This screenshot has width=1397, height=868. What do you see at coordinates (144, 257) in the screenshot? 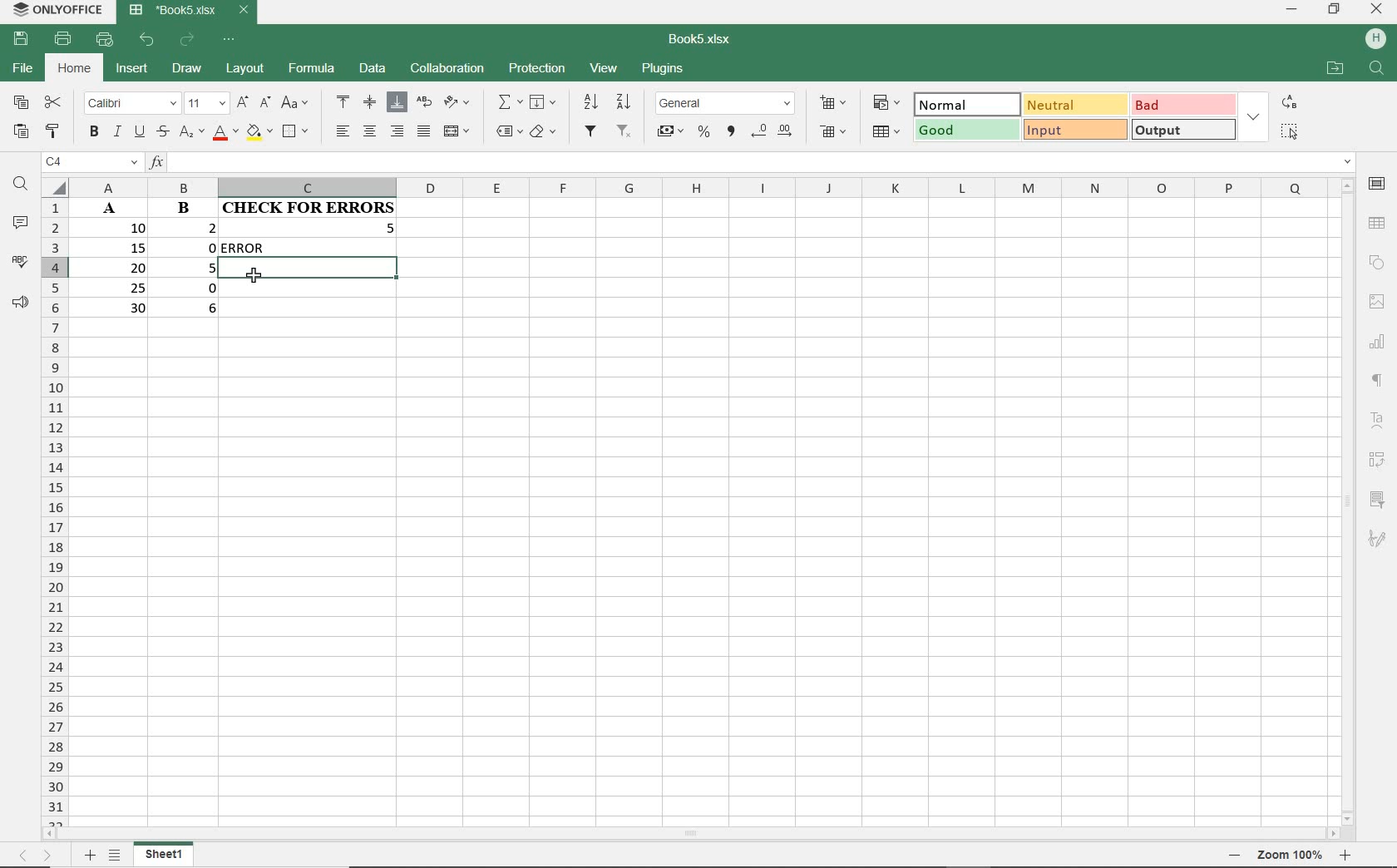
I see `CELLS A3:B3` at bounding box center [144, 257].